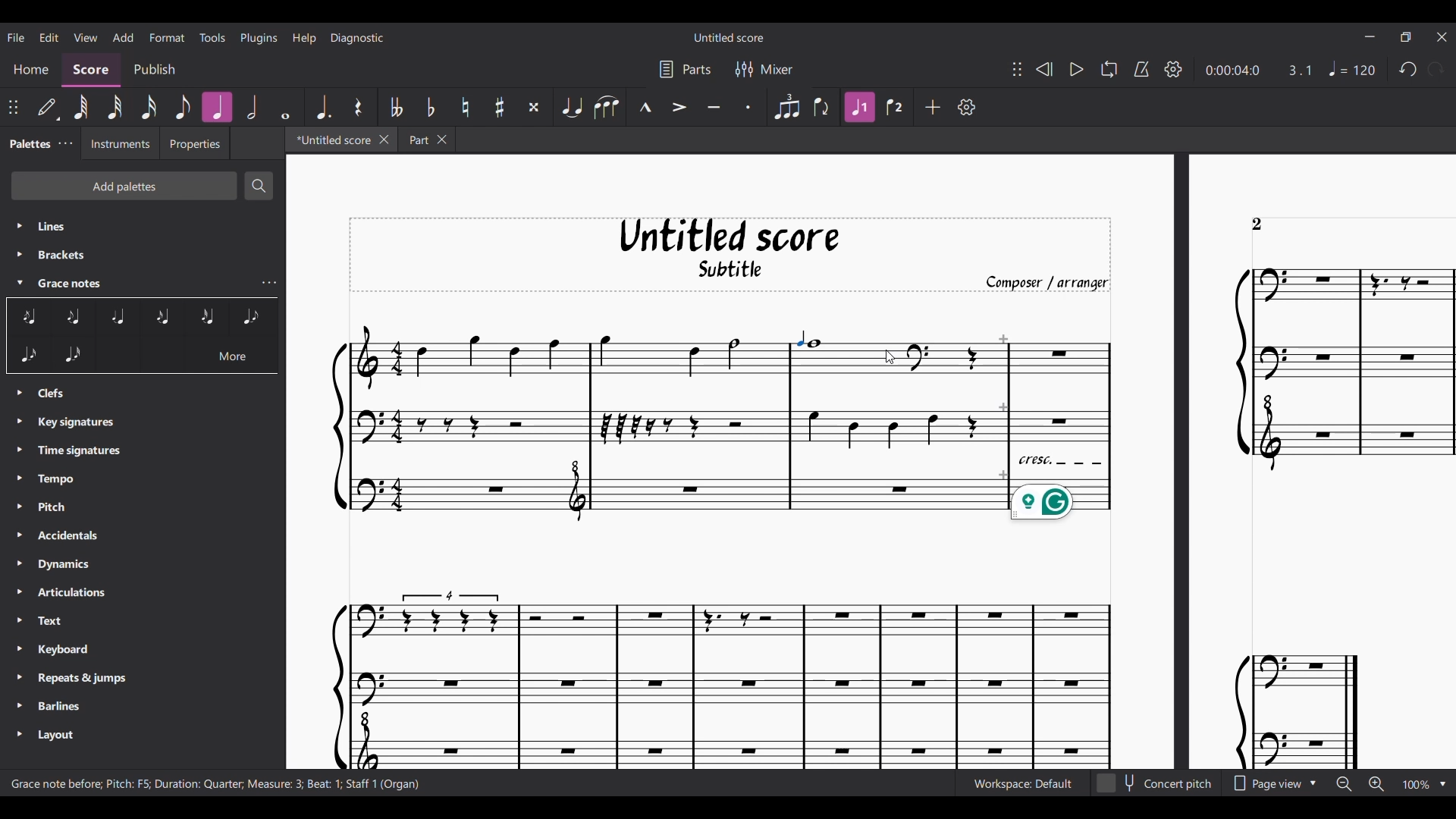 This screenshot has width=1456, height=819. Describe the element at coordinates (148, 108) in the screenshot. I see `16th note` at that location.